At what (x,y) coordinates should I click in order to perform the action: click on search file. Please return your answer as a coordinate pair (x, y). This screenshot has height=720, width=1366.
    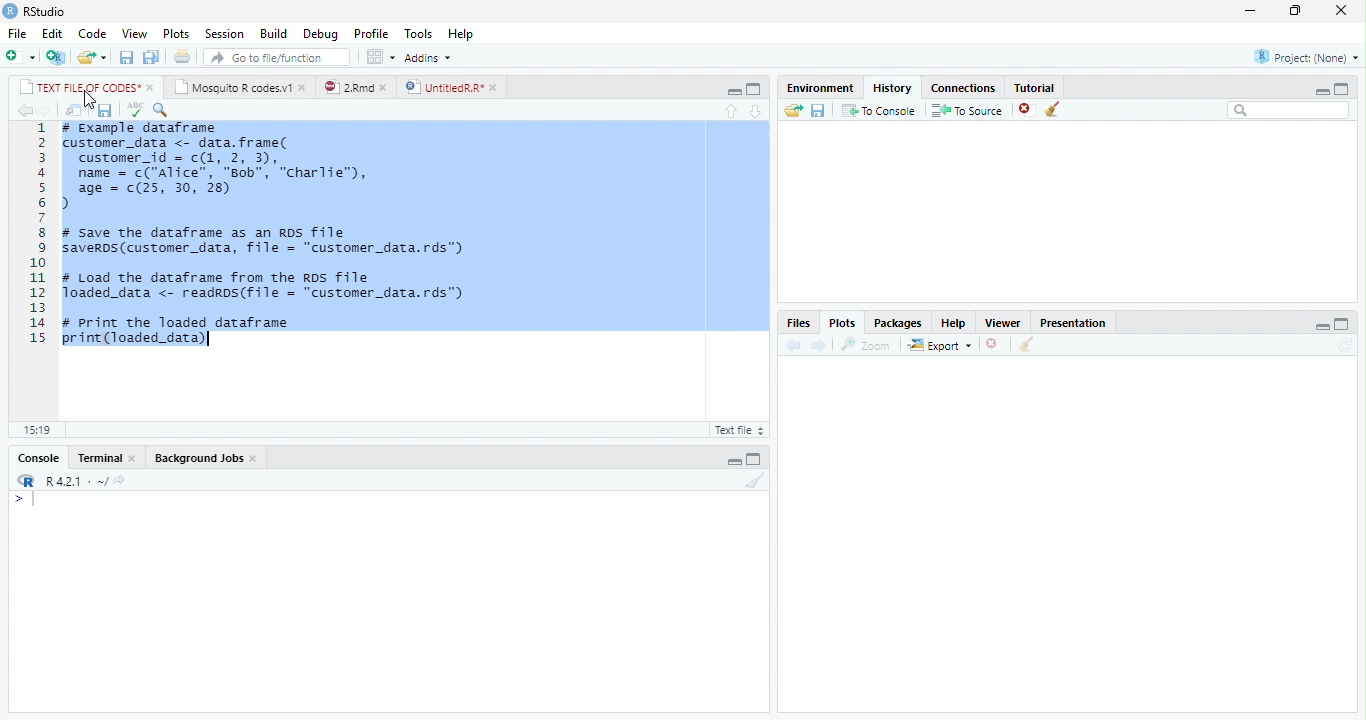
    Looking at the image, I should click on (278, 57).